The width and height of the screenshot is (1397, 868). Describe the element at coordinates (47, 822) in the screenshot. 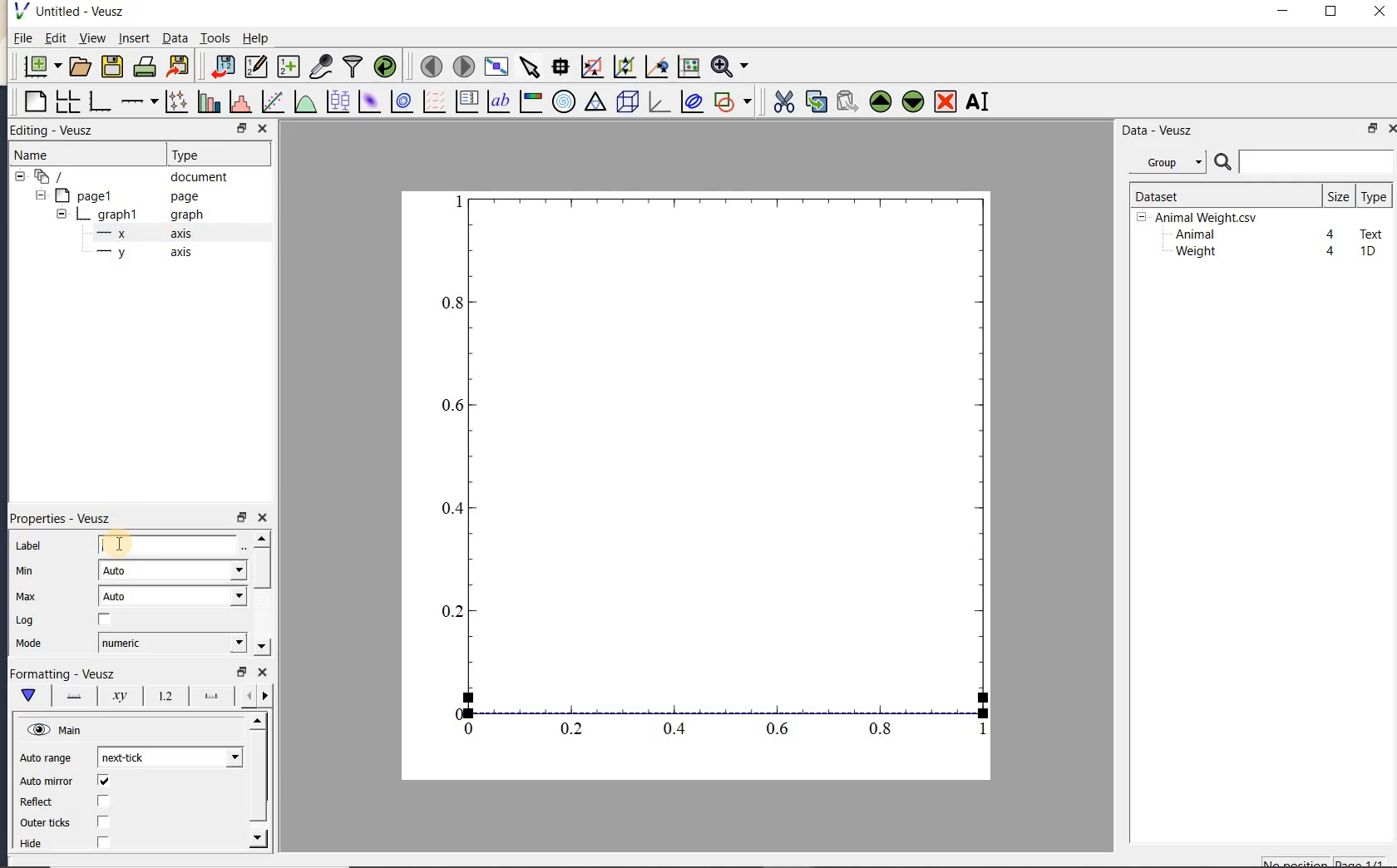

I see `Outer ticks` at that location.